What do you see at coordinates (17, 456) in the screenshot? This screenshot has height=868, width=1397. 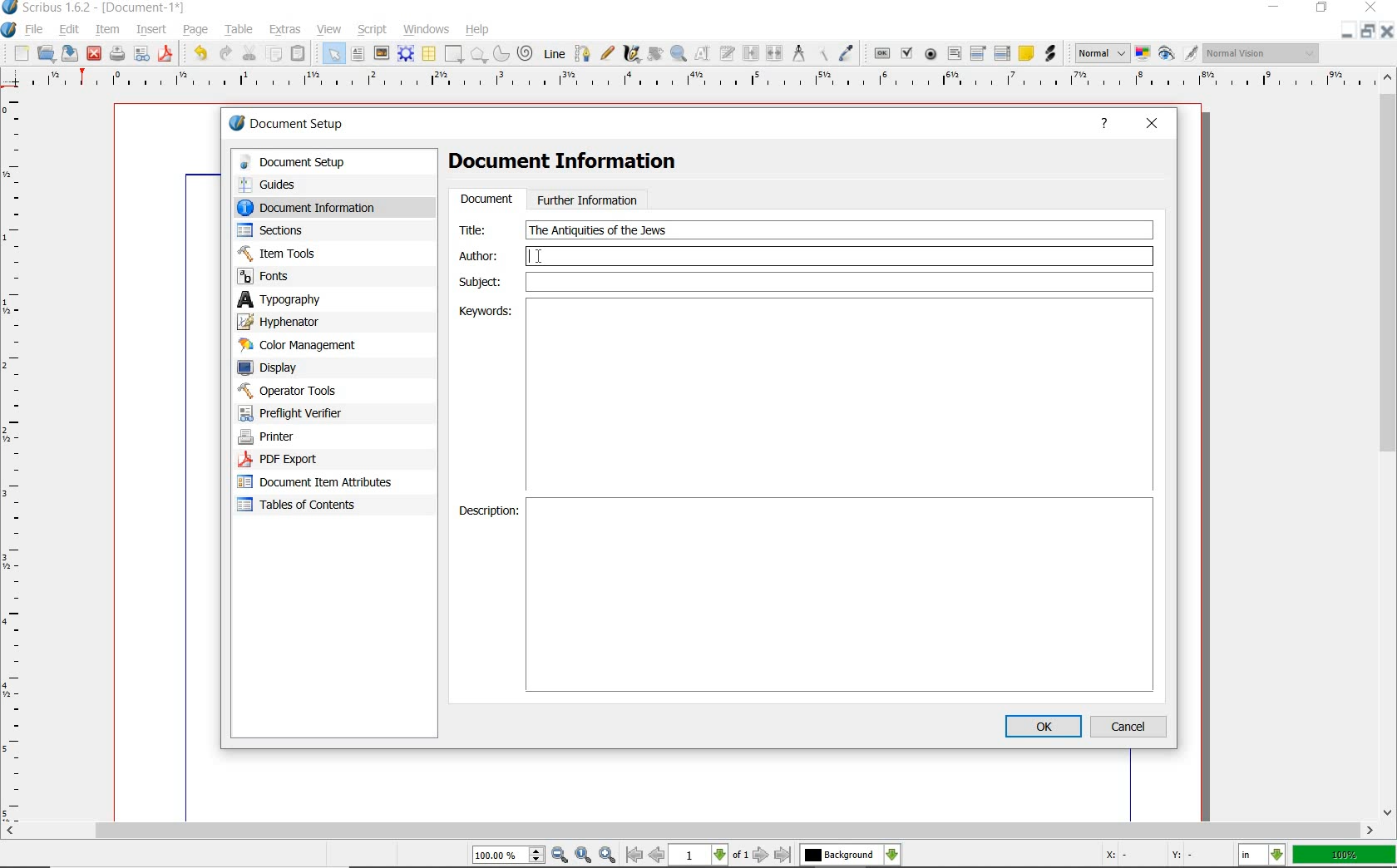 I see `ruler` at bounding box center [17, 456].